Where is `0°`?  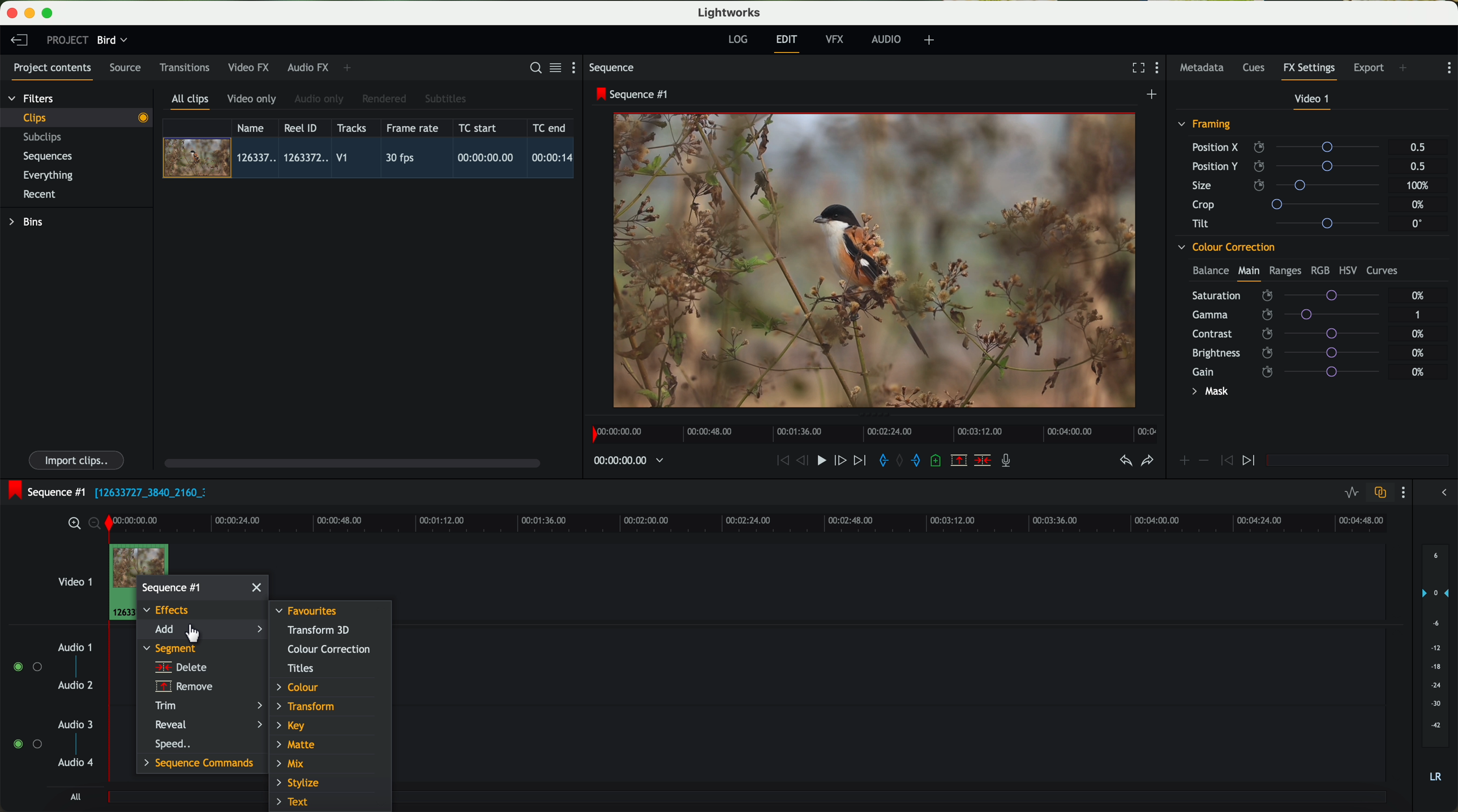
0° is located at coordinates (1418, 223).